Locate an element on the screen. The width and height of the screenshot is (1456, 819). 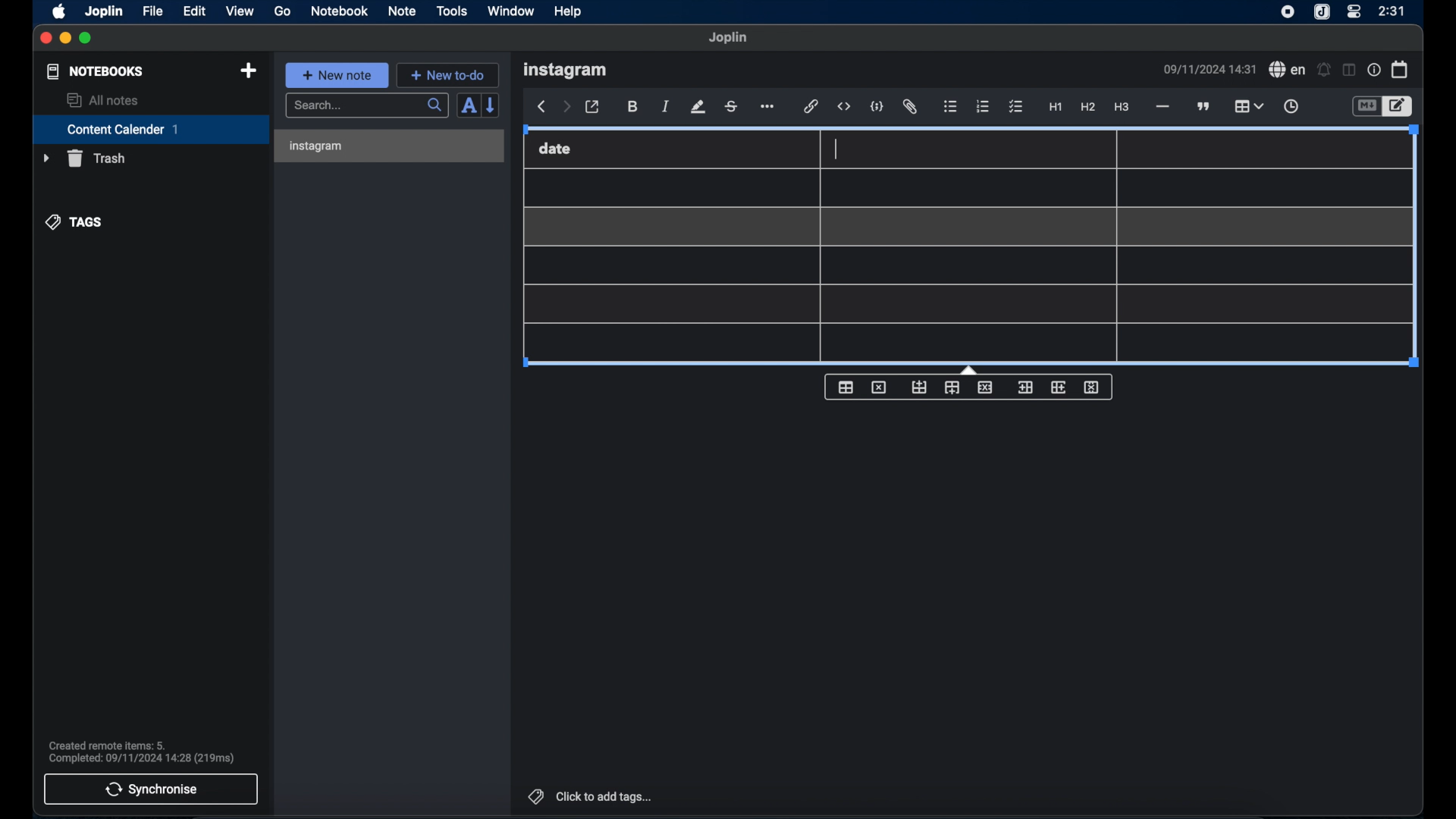
file is located at coordinates (154, 11).